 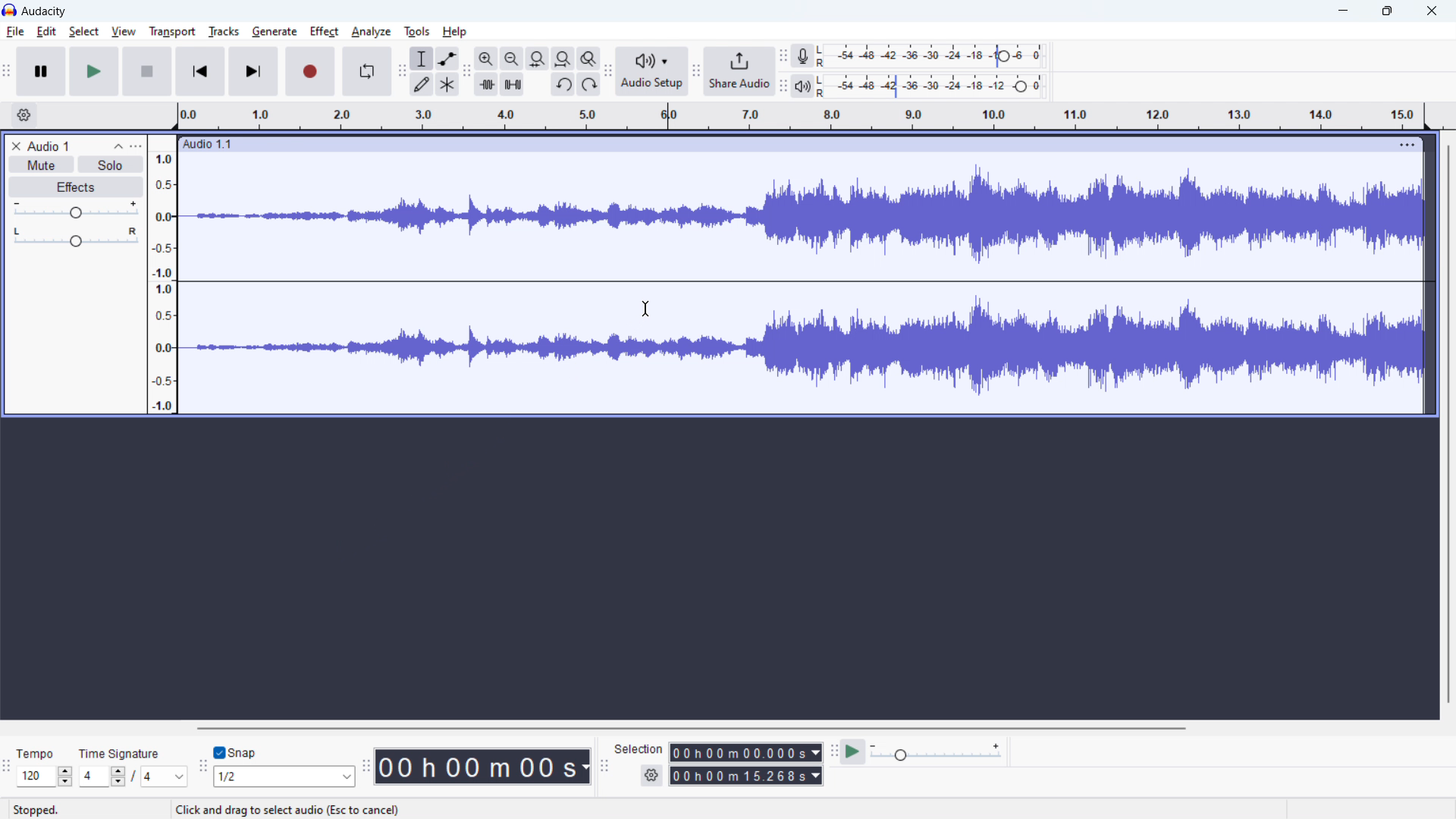 I want to click on view, so click(x=124, y=32).